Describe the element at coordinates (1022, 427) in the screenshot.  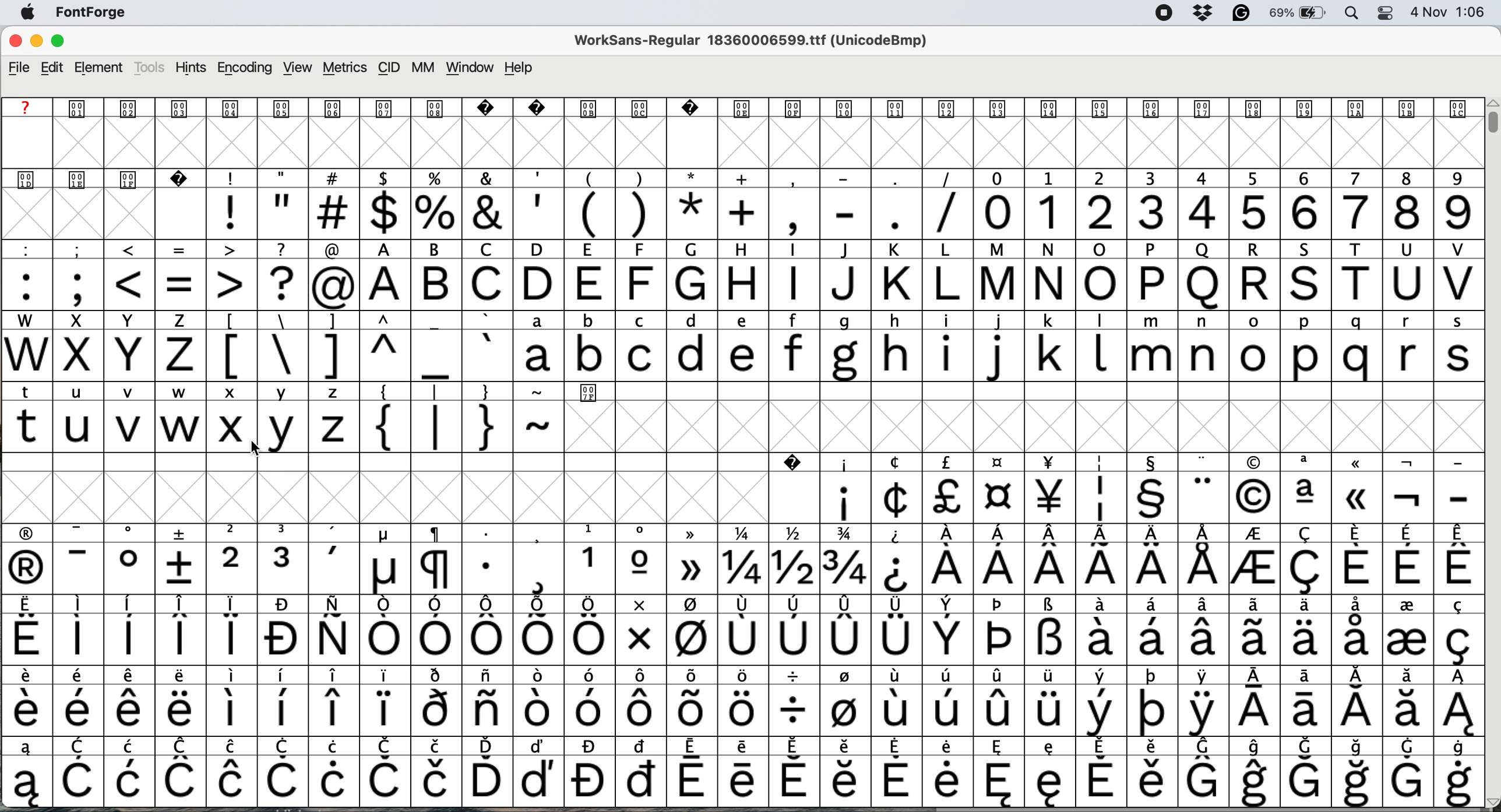
I see `glyph grid` at that location.